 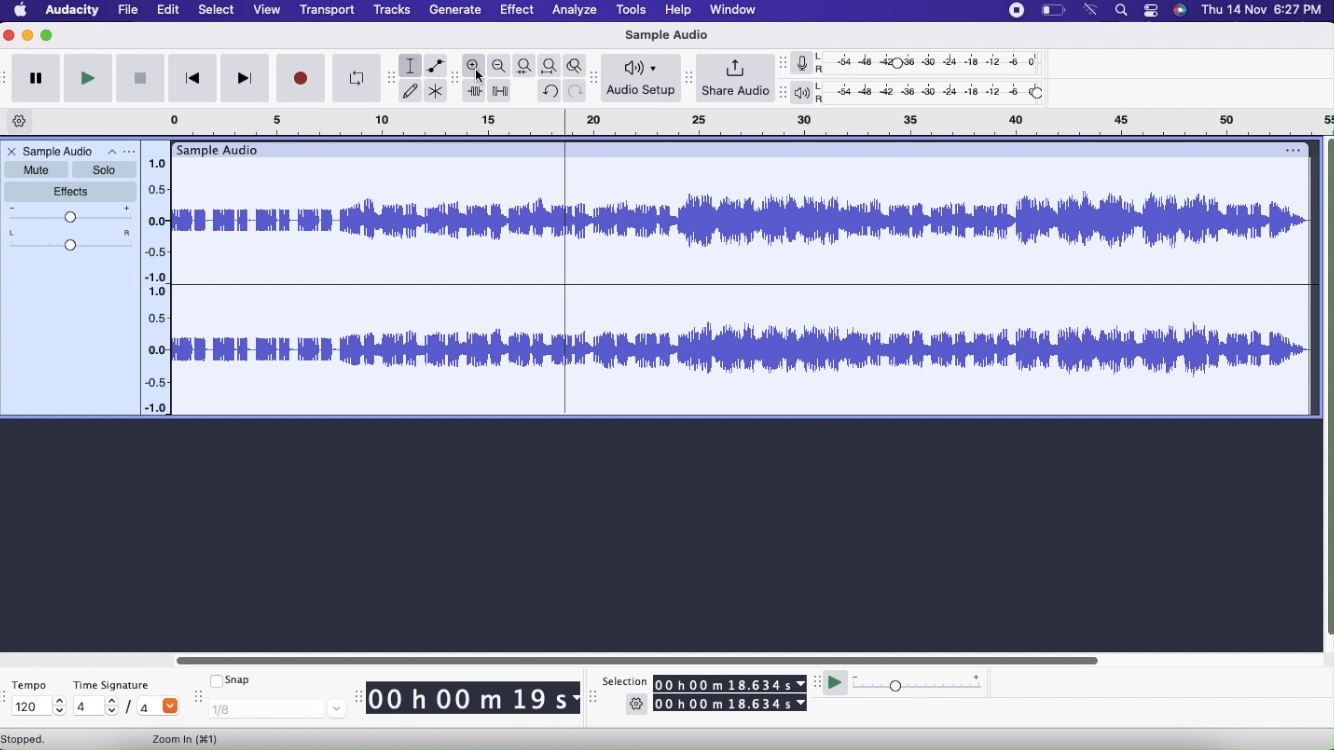 What do you see at coordinates (924, 684) in the screenshot?
I see `Playback speed` at bounding box center [924, 684].